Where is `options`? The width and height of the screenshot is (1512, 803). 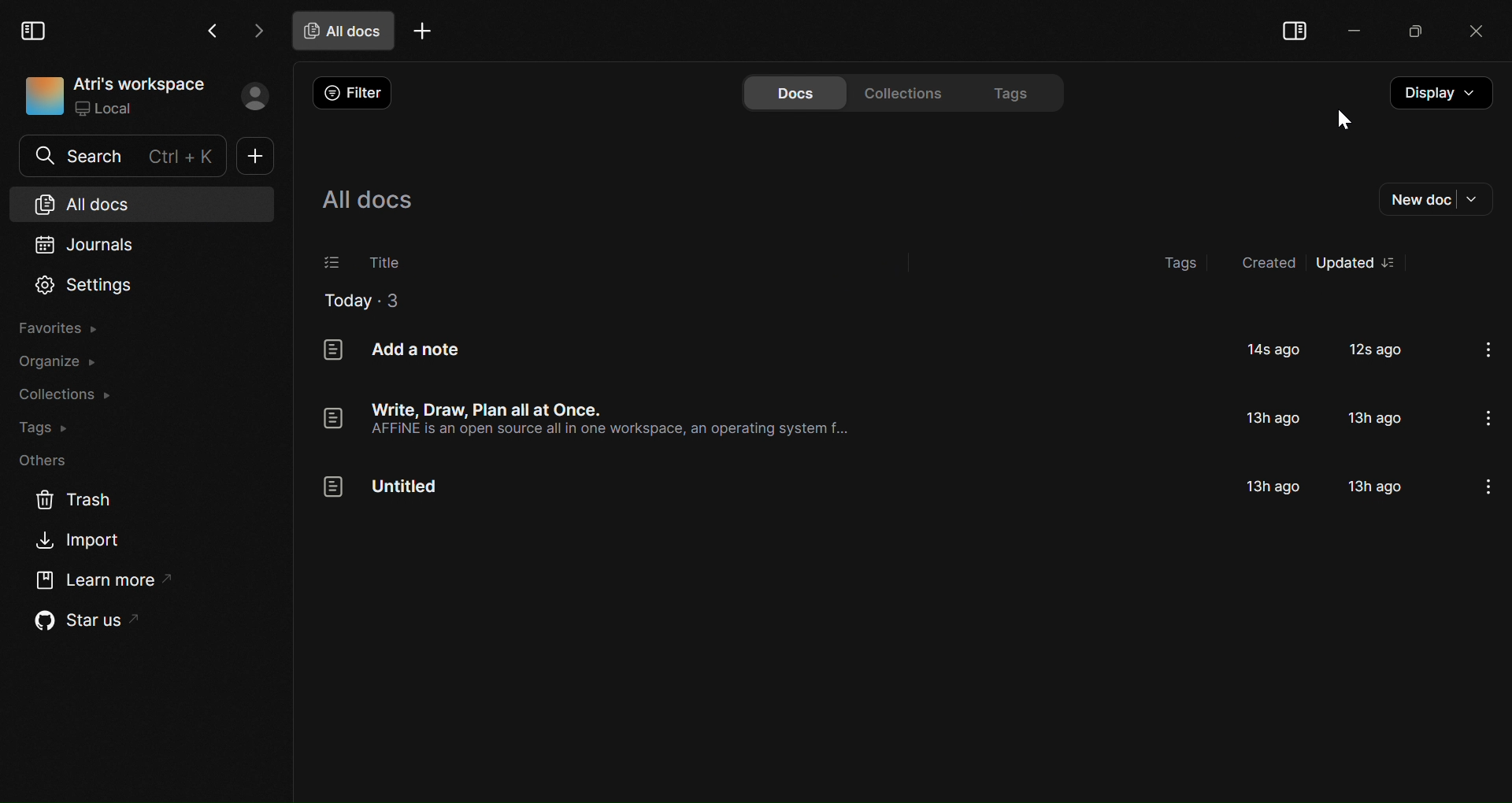 options is located at coordinates (1395, 263).